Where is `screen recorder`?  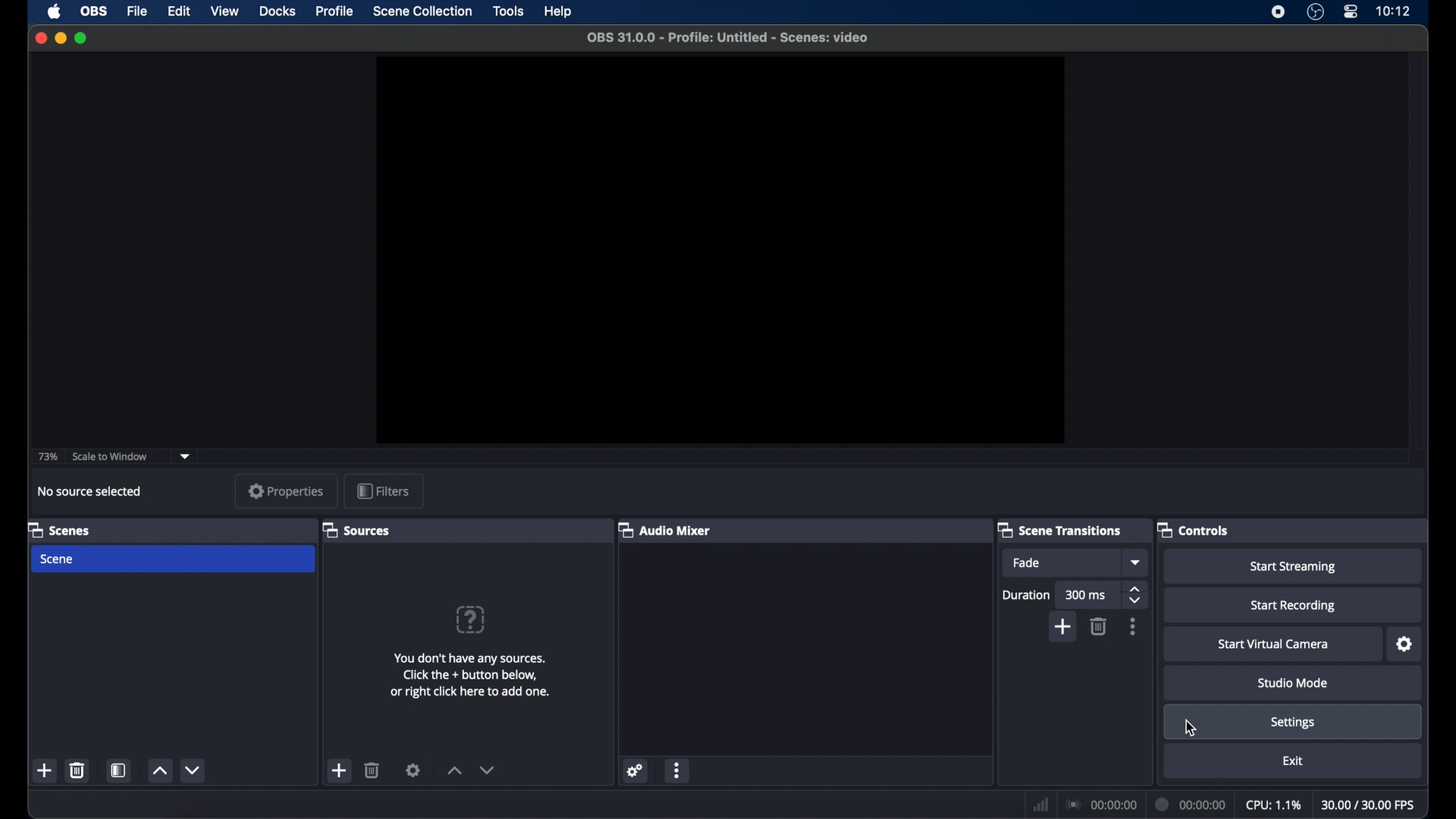 screen recorder is located at coordinates (1277, 12).